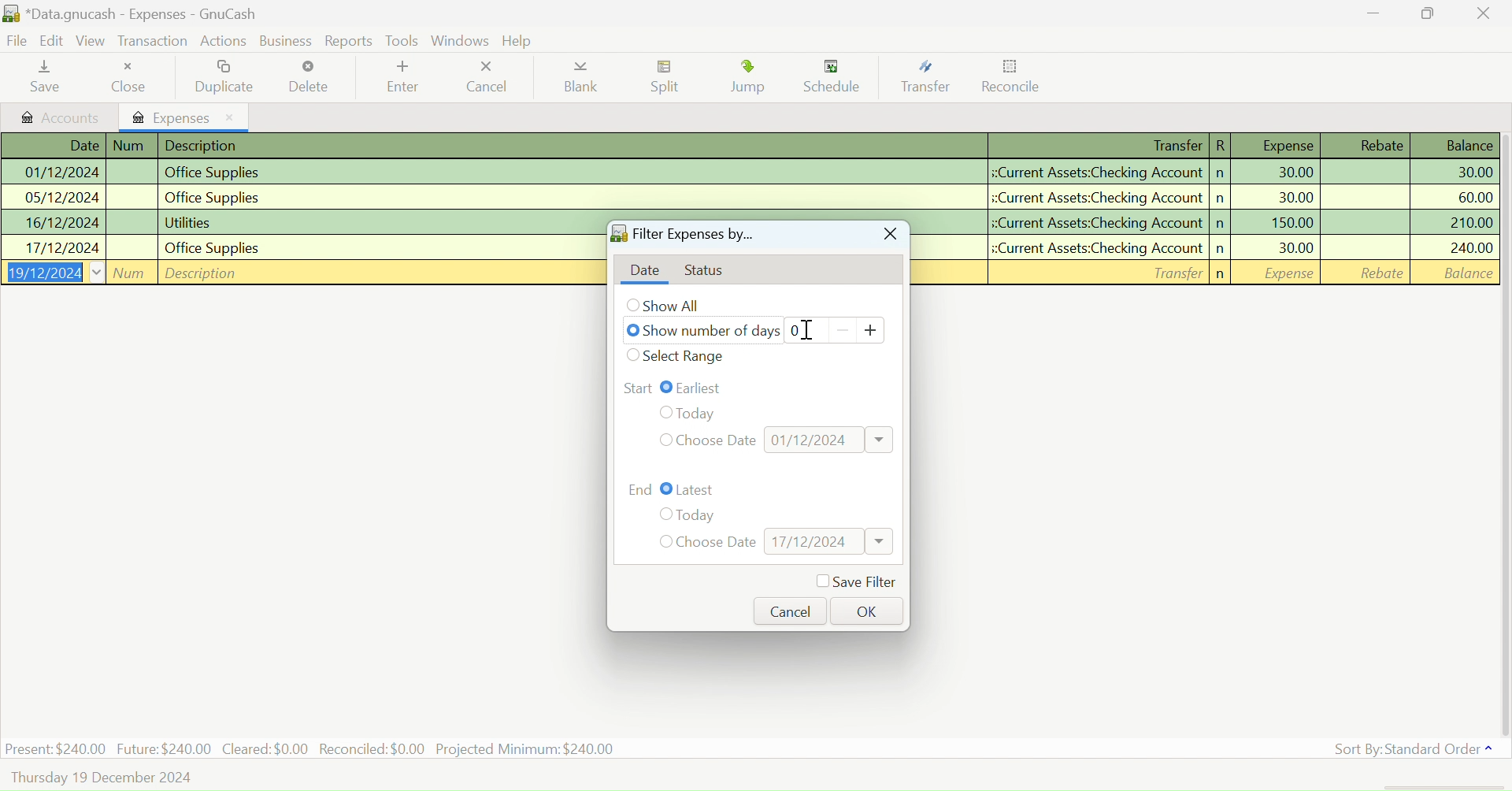 This screenshot has height=791, width=1512. I want to click on File, so click(16, 43).